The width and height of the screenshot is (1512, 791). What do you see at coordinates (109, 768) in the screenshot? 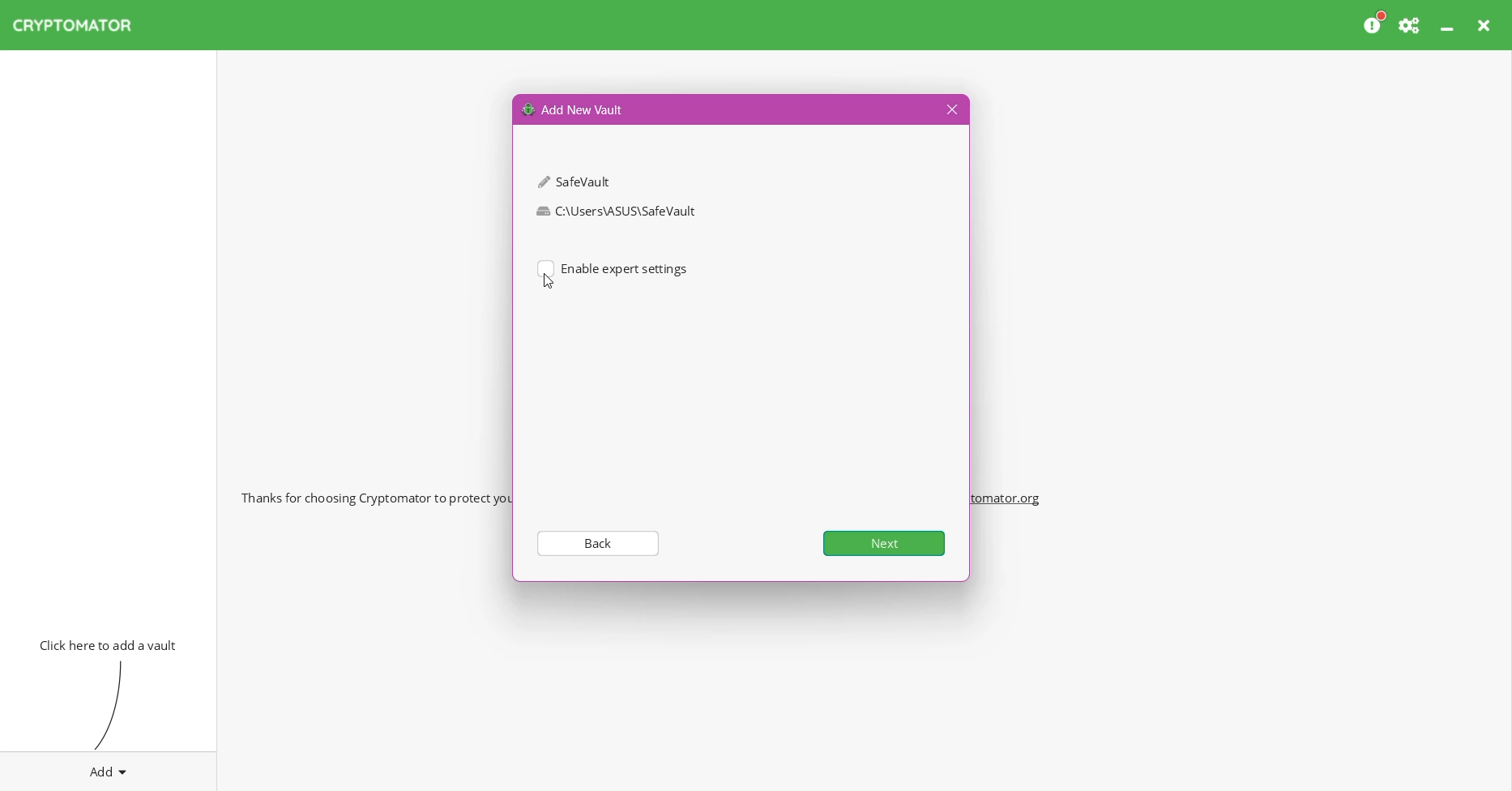
I see `Add` at bounding box center [109, 768].